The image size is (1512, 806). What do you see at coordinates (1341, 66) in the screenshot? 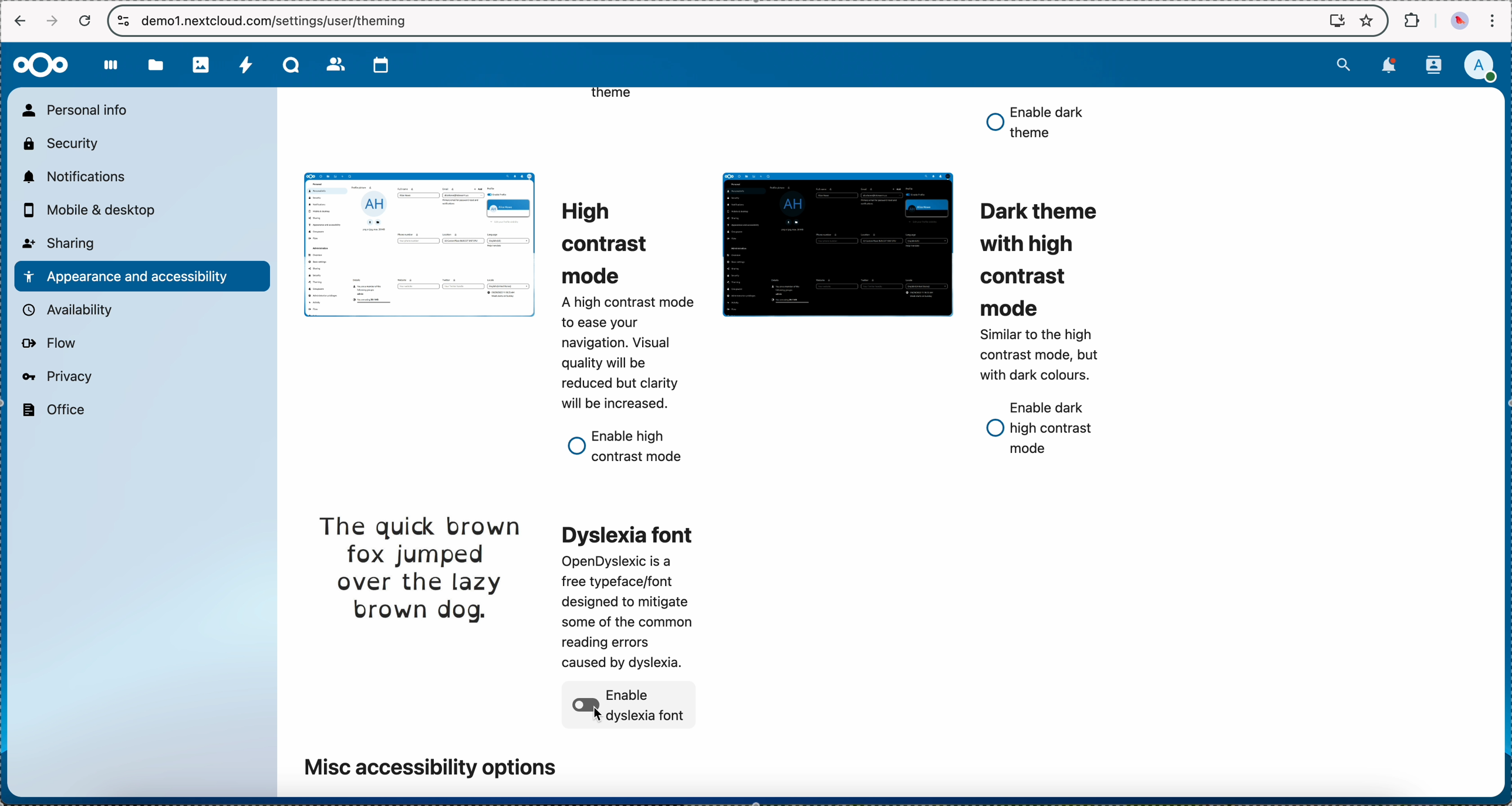
I see `search` at bounding box center [1341, 66].